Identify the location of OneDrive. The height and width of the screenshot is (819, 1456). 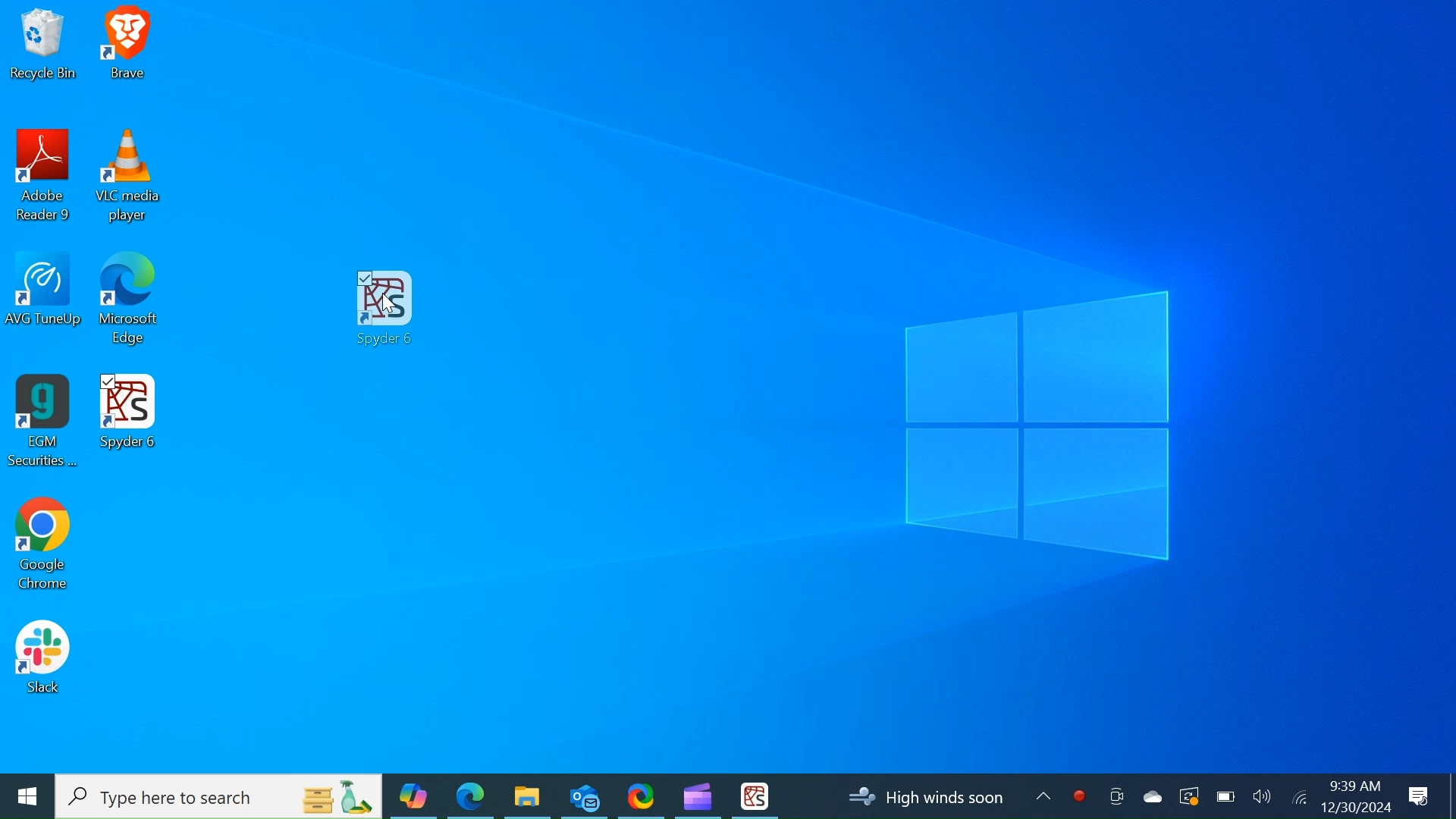
(1150, 795).